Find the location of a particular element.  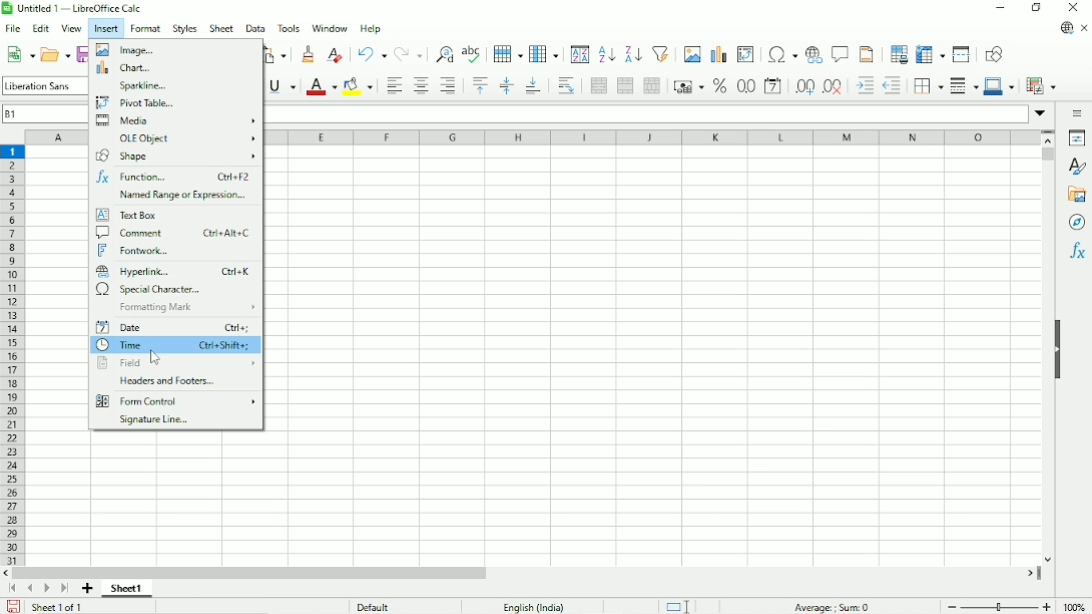

Define print area is located at coordinates (897, 53).